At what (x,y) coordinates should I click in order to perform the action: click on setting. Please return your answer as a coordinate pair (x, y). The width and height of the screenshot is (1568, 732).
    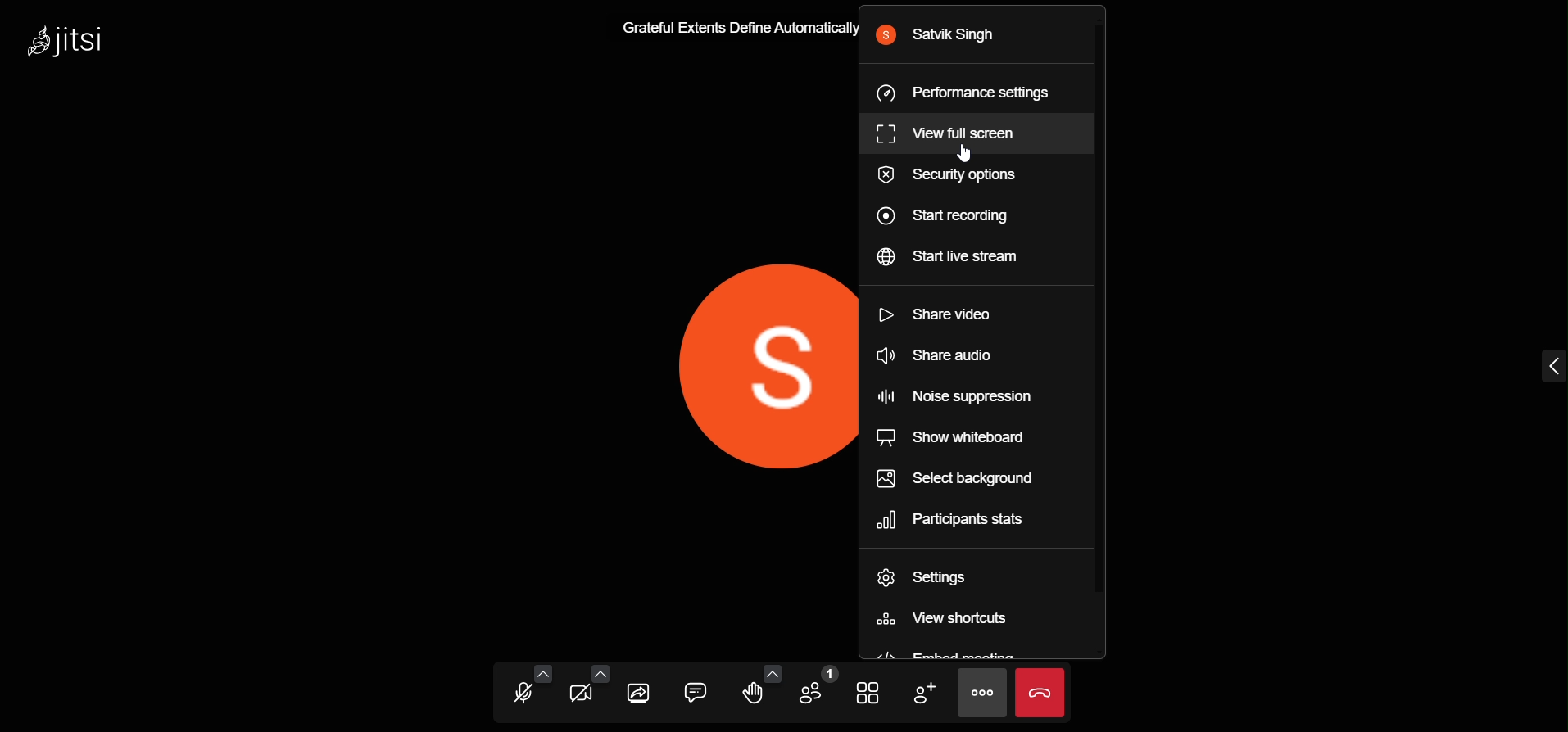
    Looking at the image, I should click on (927, 581).